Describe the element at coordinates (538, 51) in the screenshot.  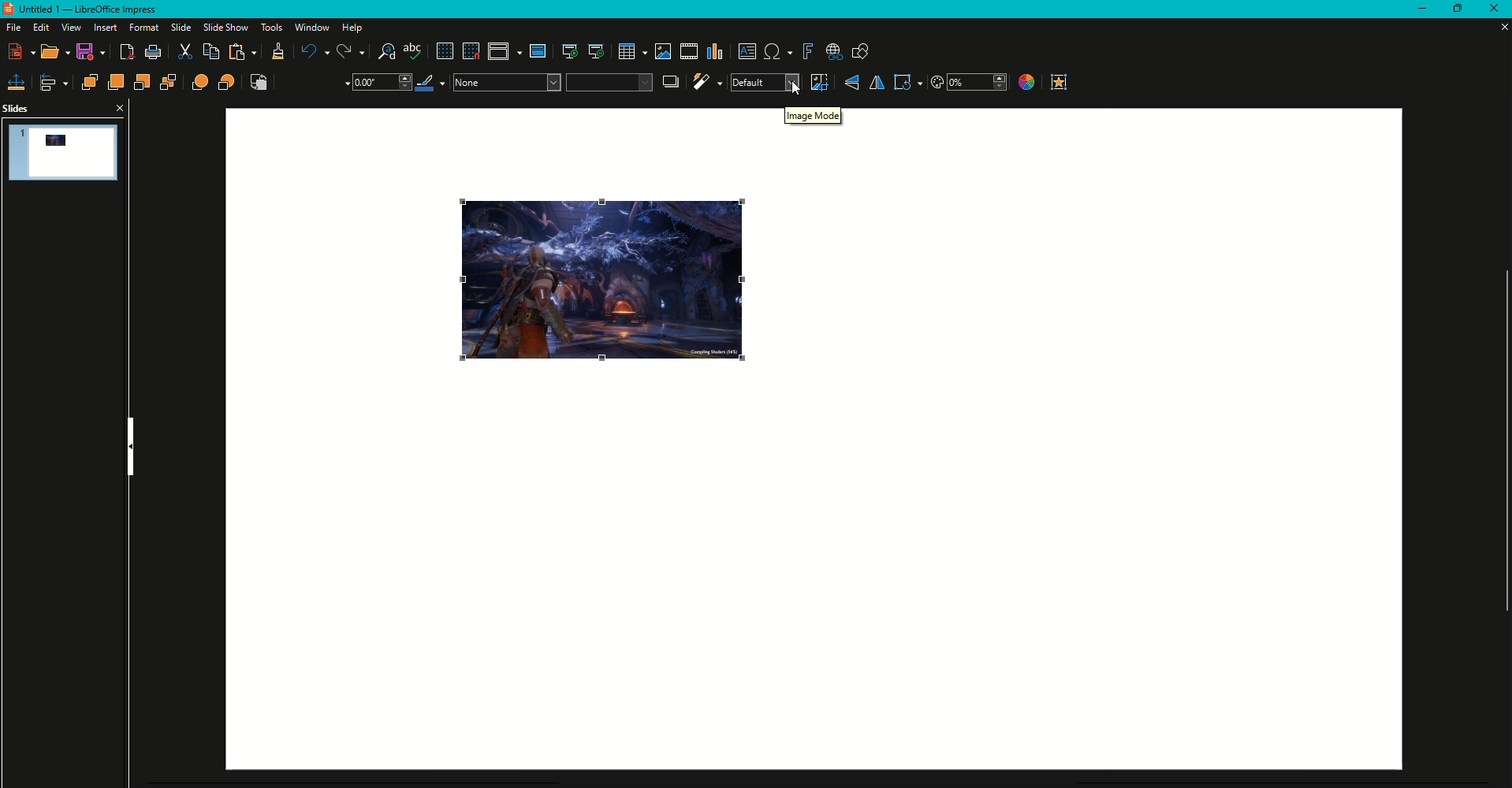
I see `Master Slide` at that location.